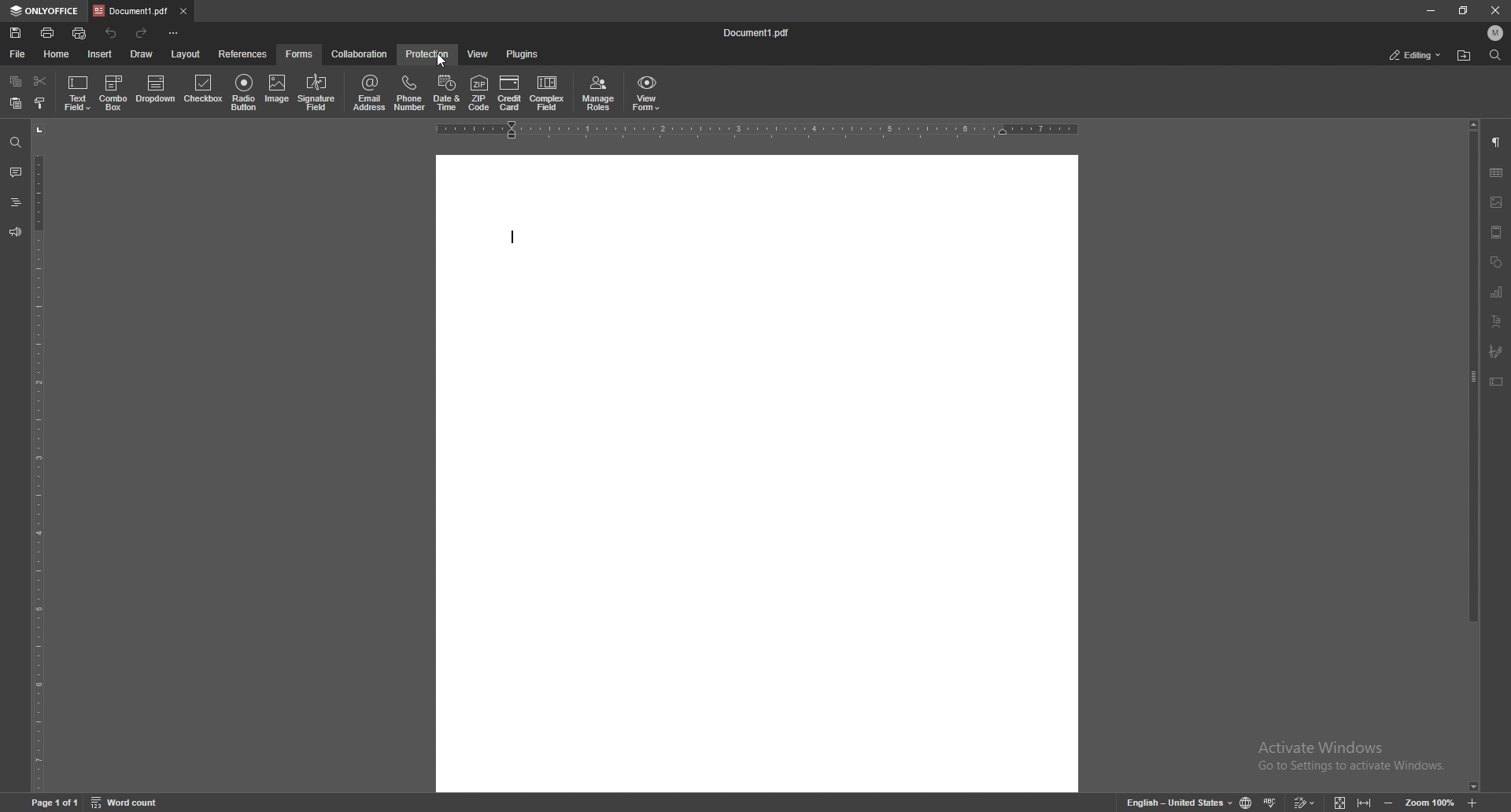 Image resolution: width=1511 pixels, height=812 pixels. I want to click on paste, so click(16, 104).